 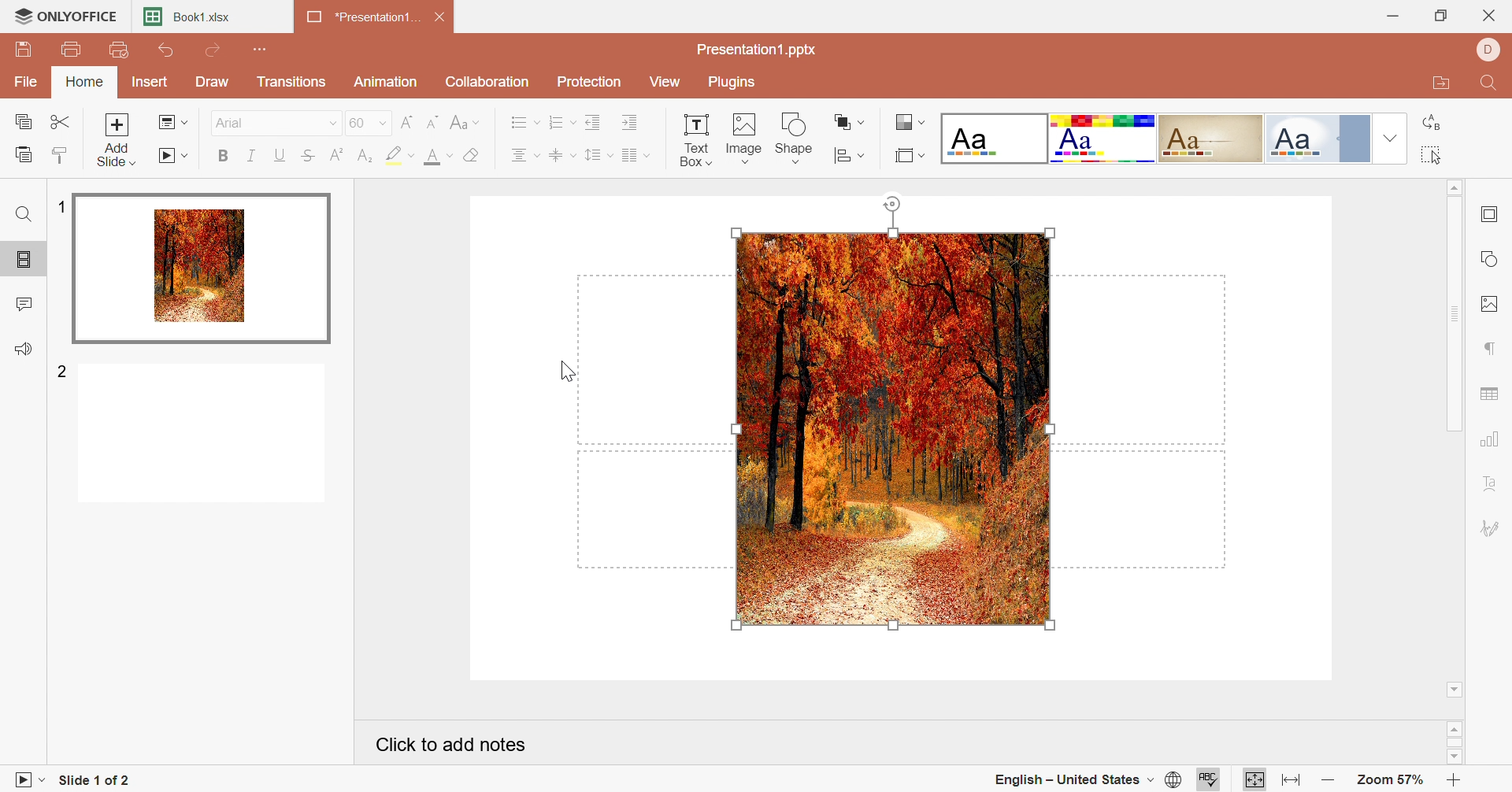 I want to click on Drop Down, so click(x=329, y=123).